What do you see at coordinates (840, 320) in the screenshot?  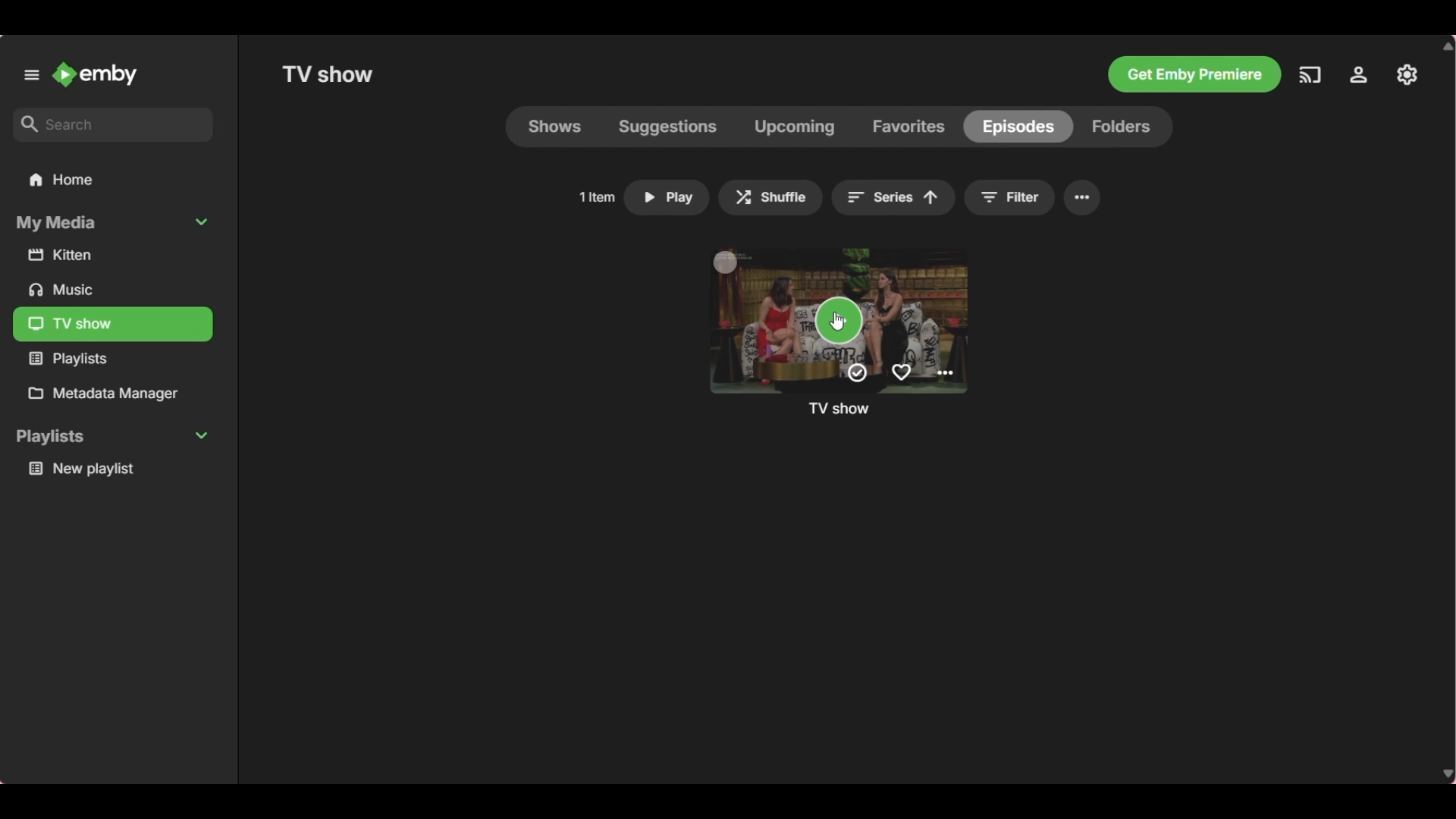 I see `Play icon highlighted` at bounding box center [840, 320].